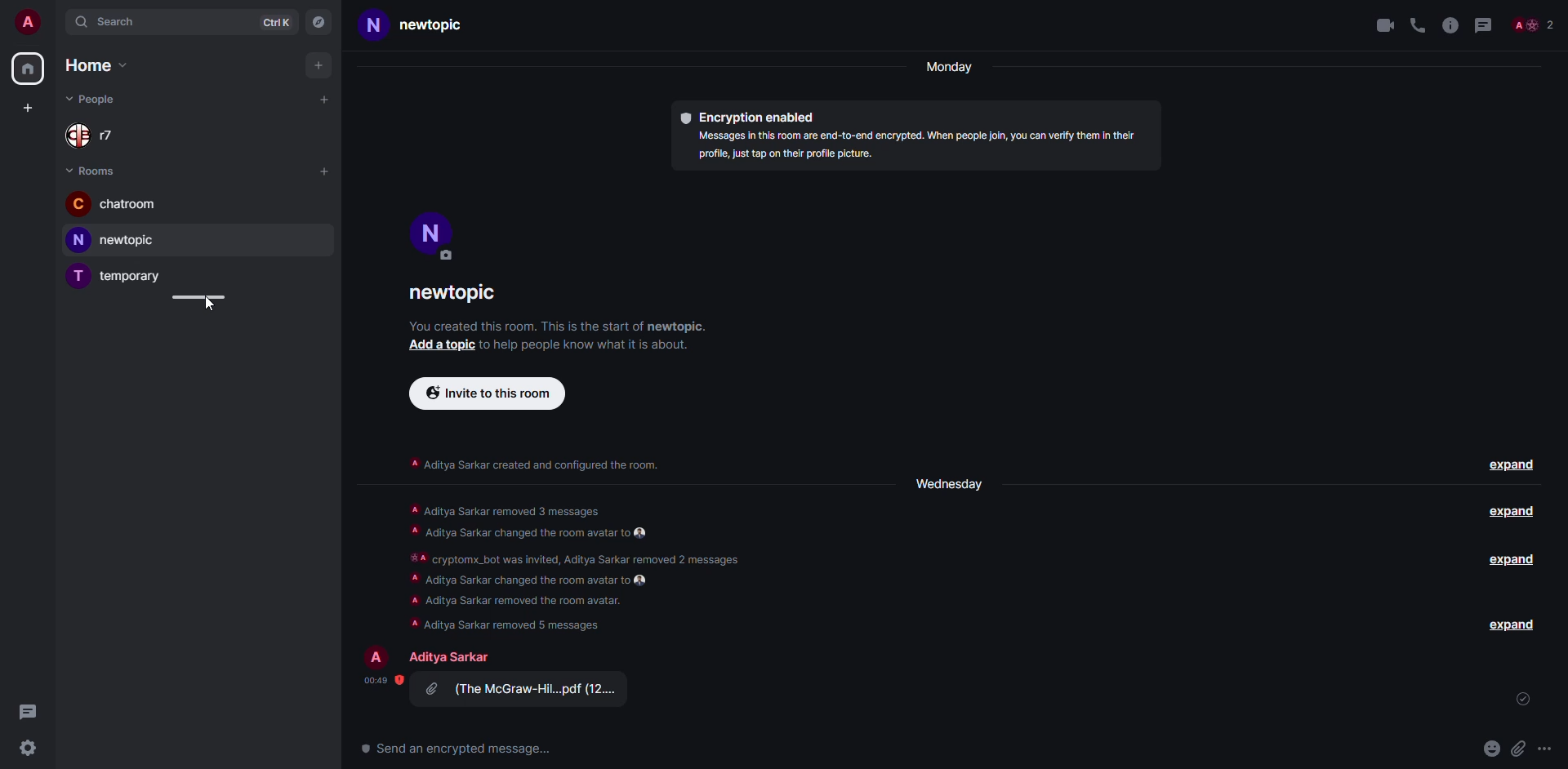  What do you see at coordinates (111, 239) in the screenshot?
I see `new topic` at bounding box center [111, 239].